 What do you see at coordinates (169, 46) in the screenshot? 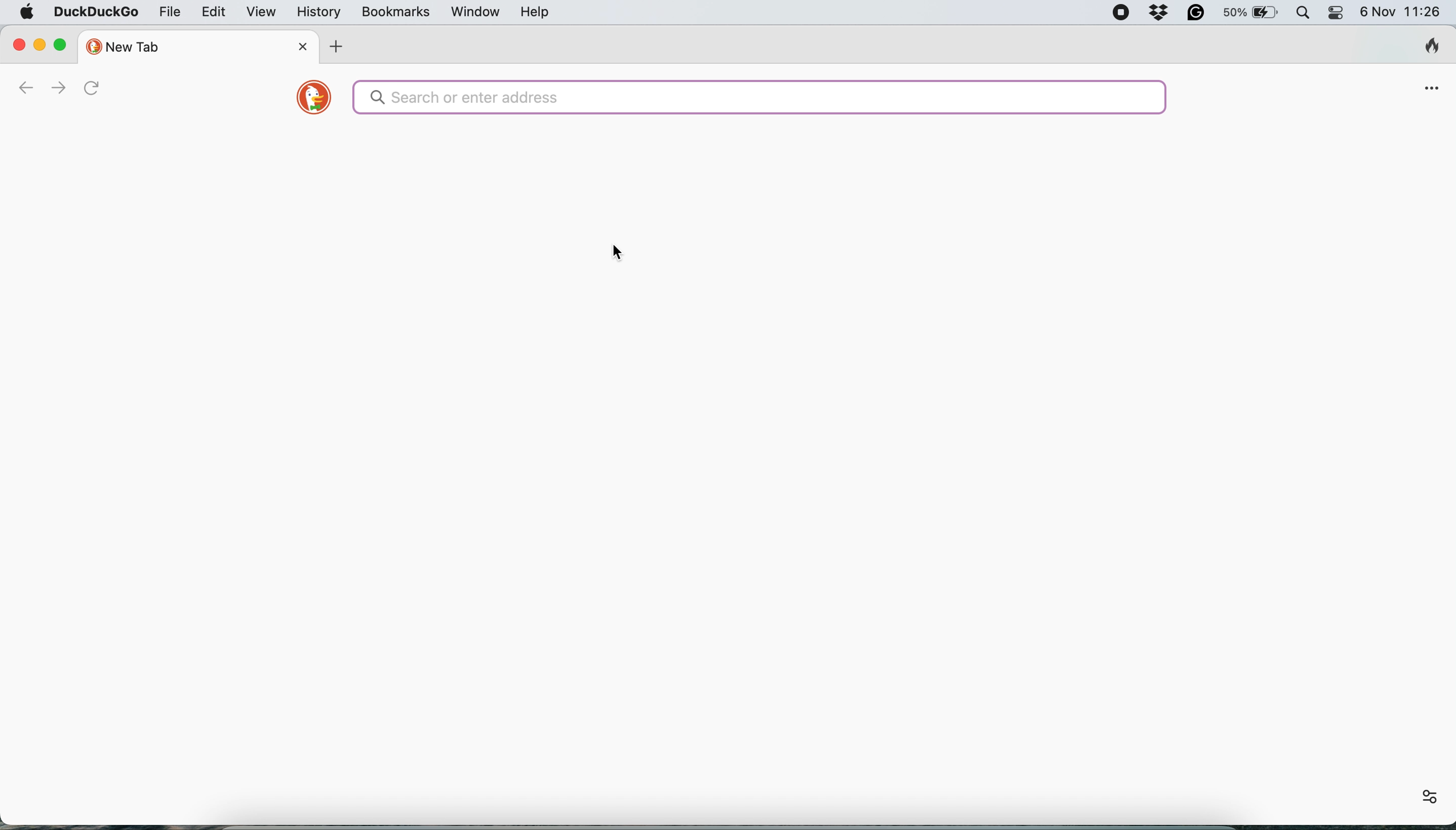
I see `new tab` at bounding box center [169, 46].